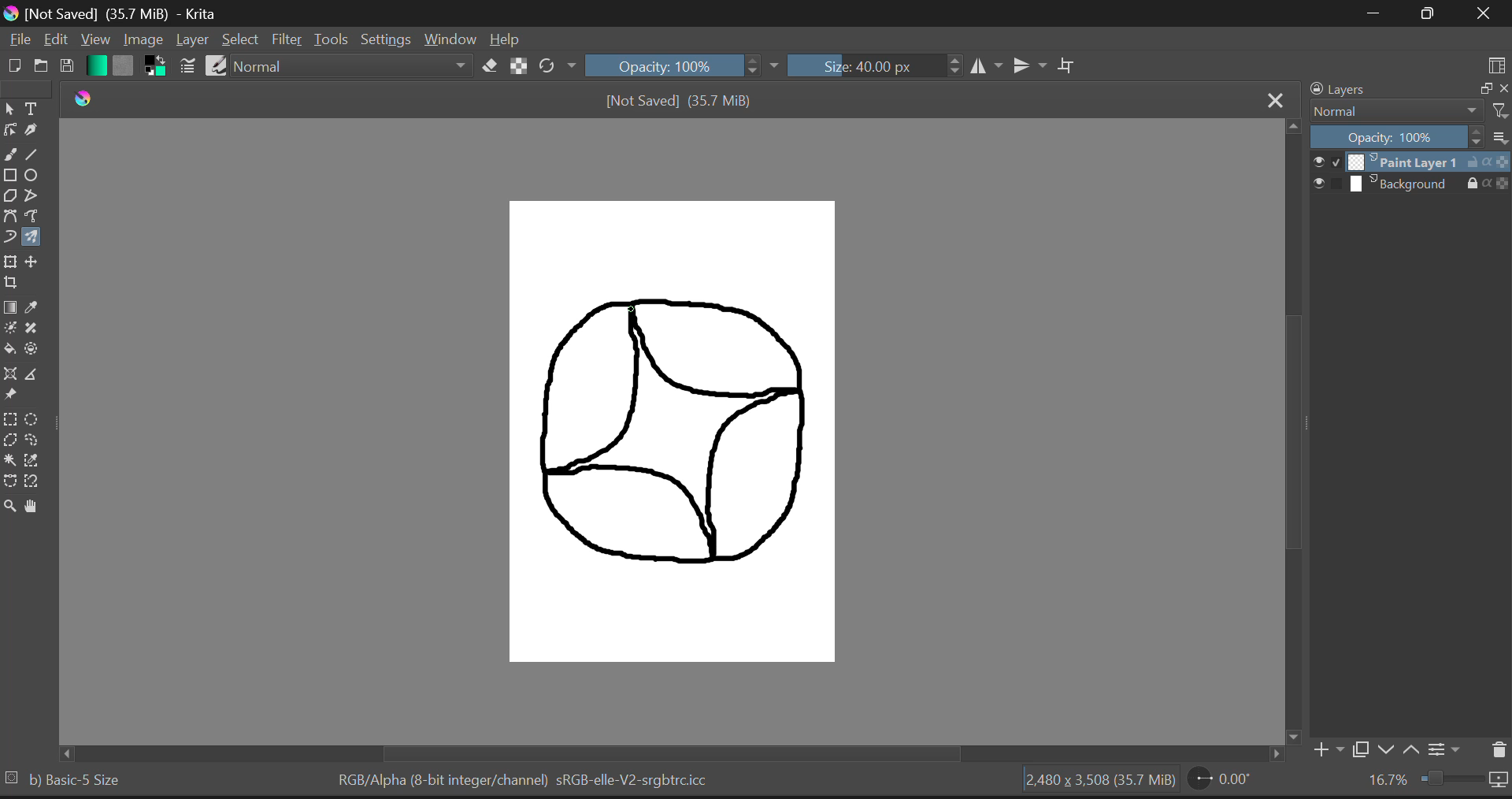 The height and width of the screenshot is (799, 1512). Describe the element at coordinates (13, 67) in the screenshot. I see `New` at that location.